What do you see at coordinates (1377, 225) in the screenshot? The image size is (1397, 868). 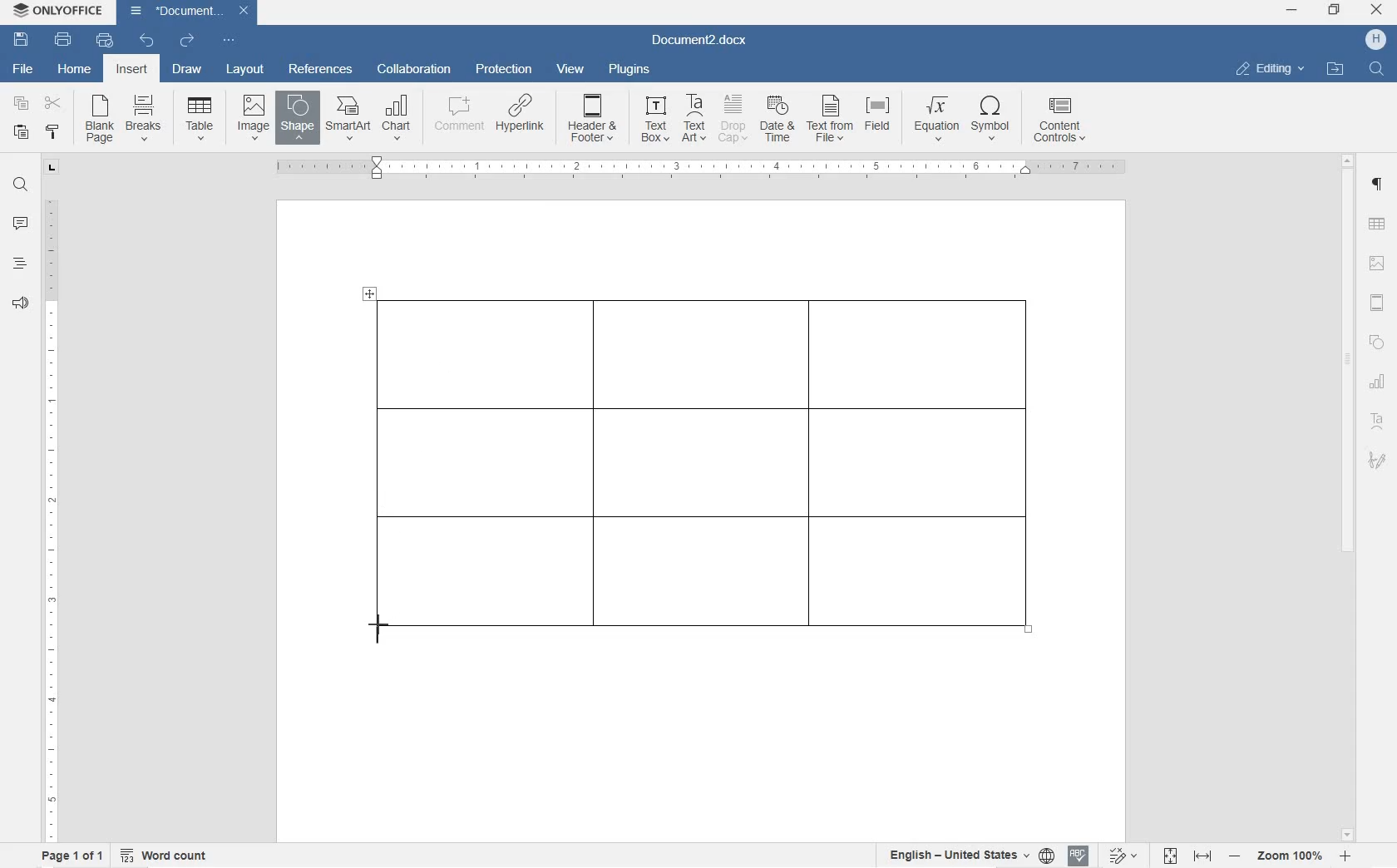 I see `table` at bounding box center [1377, 225].